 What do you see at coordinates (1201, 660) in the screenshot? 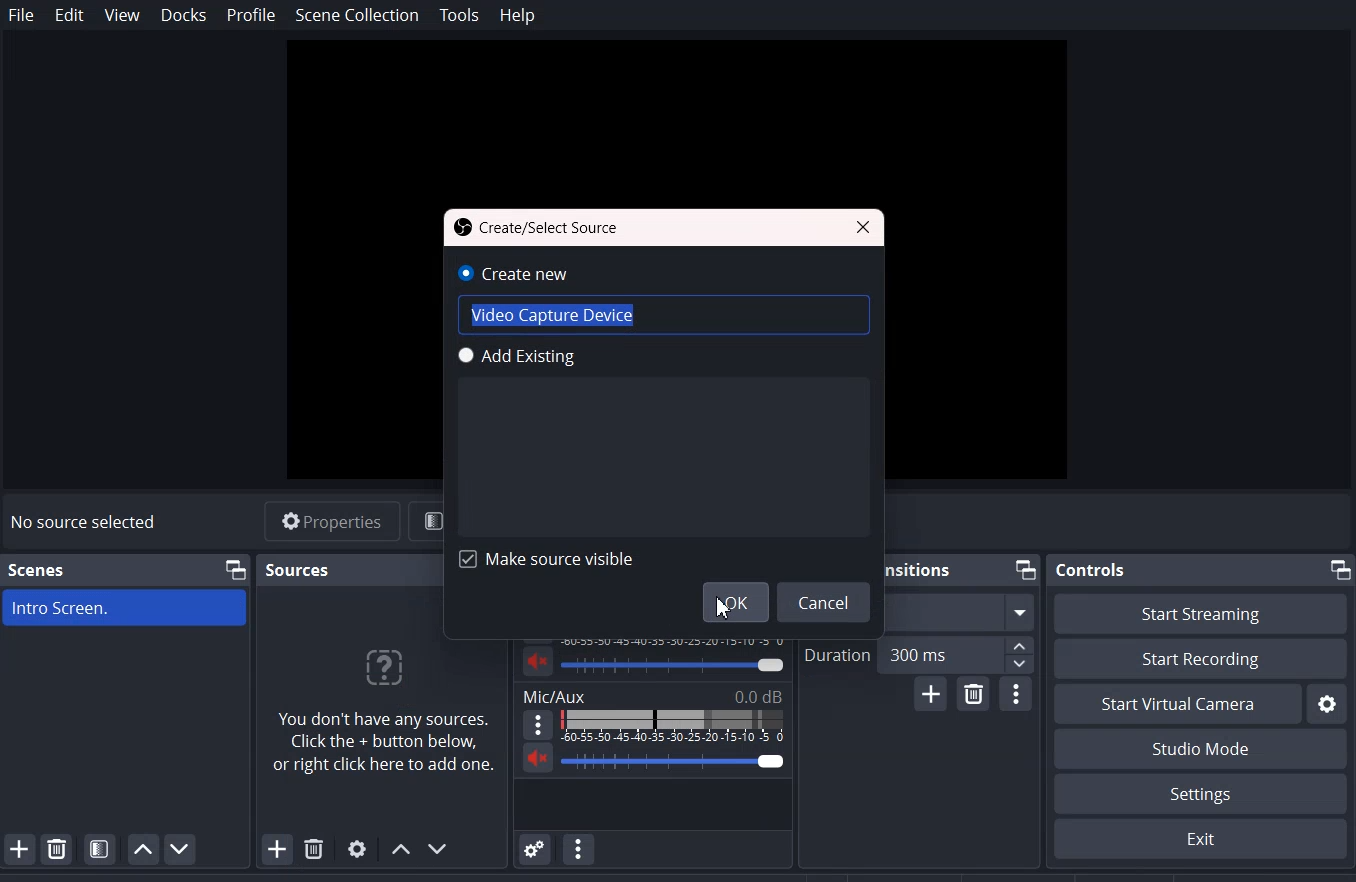
I see `Start Recording` at bounding box center [1201, 660].